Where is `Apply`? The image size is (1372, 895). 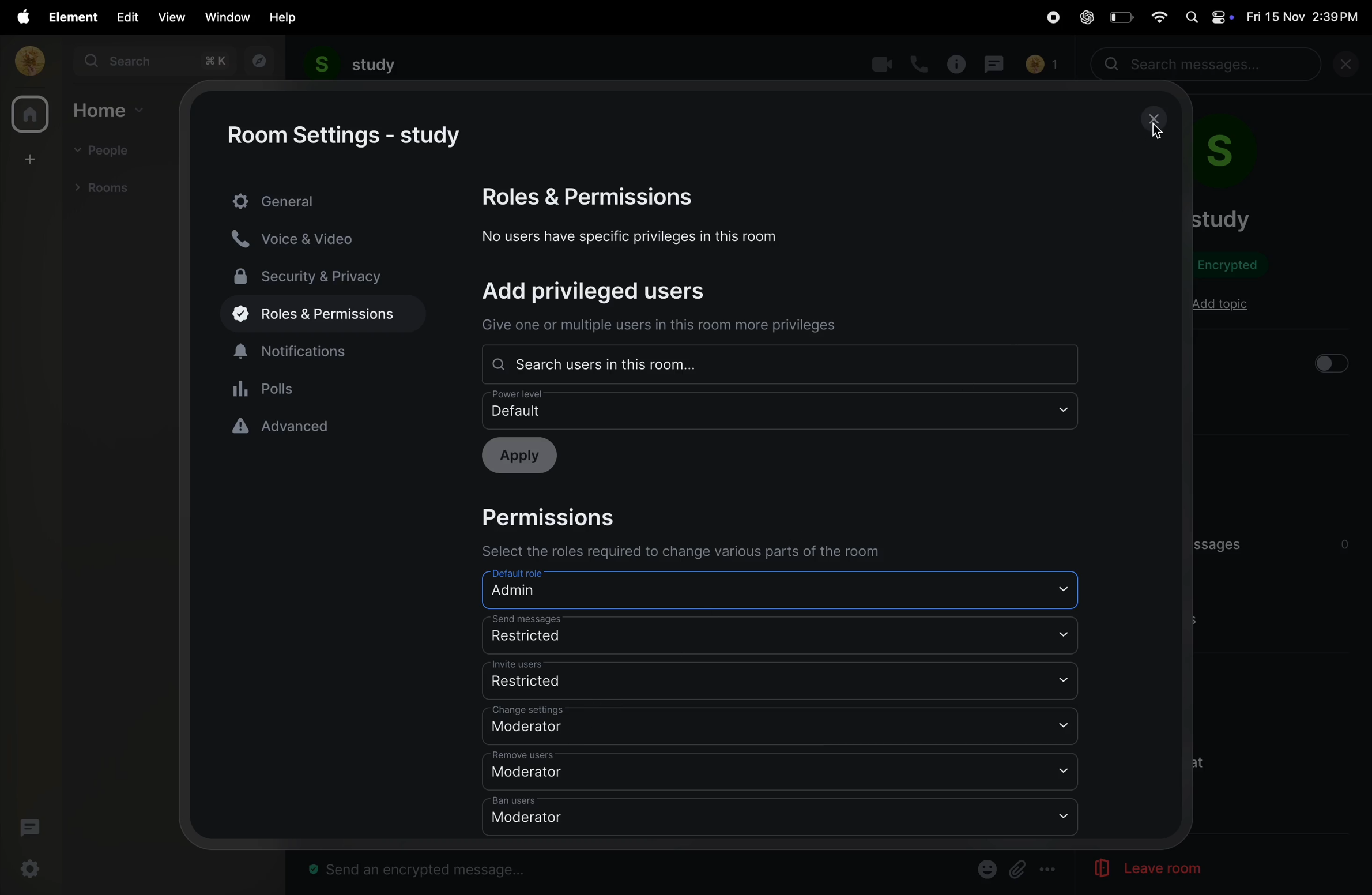 Apply is located at coordinates (524, 455).